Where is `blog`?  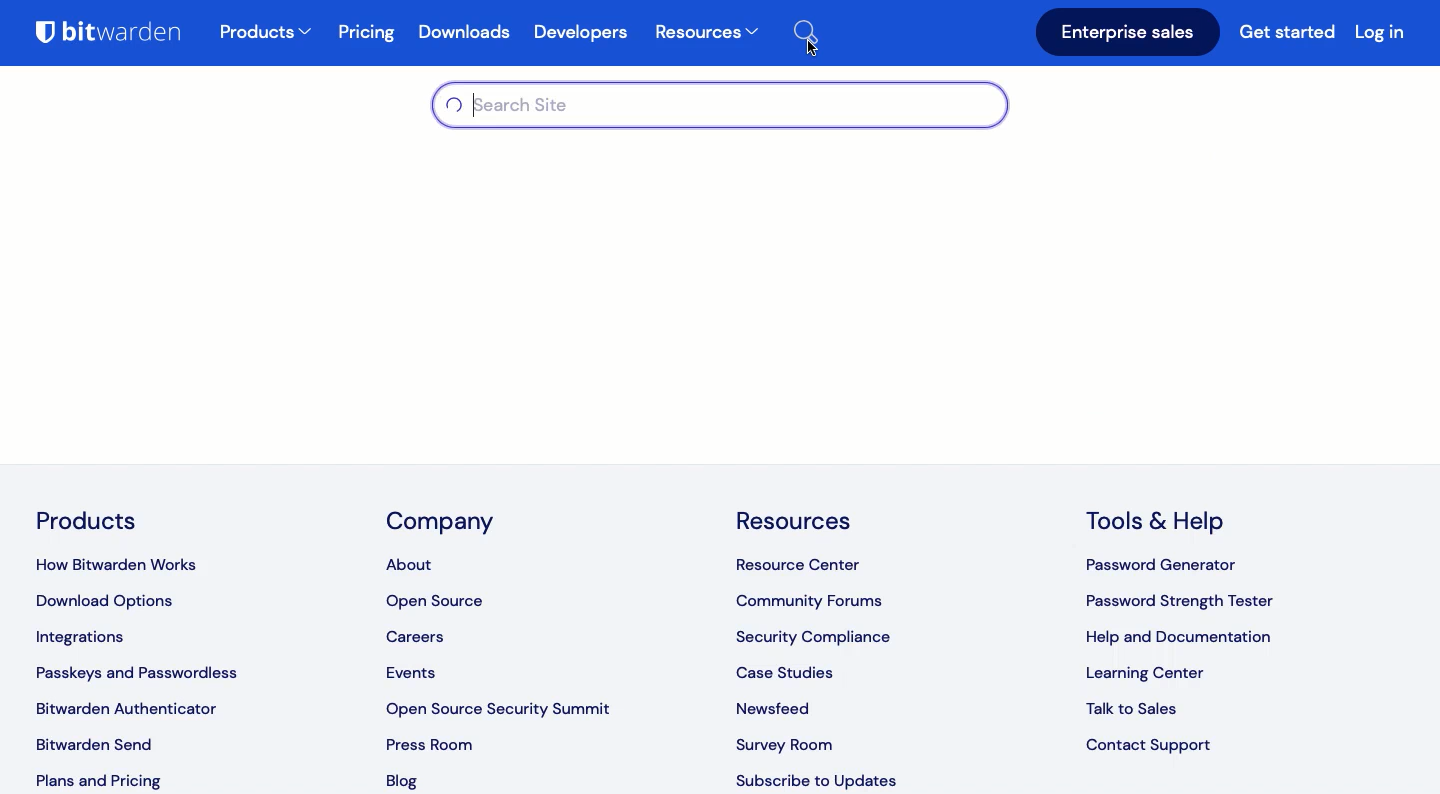
blog is located at coordinates (408, 782).